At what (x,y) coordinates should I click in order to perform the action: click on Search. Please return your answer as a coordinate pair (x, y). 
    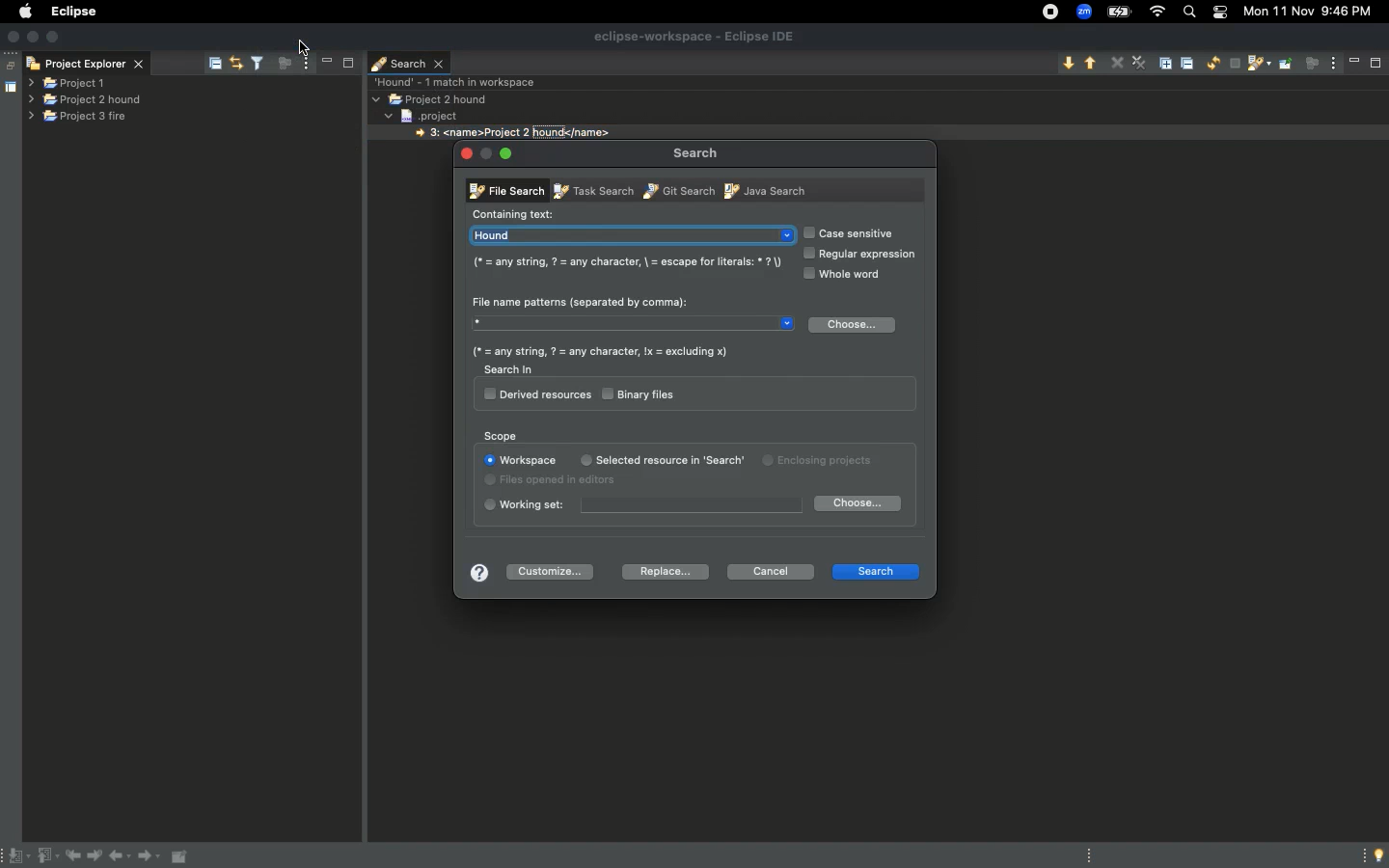
    Looking at the image, I should click on (696, 152).